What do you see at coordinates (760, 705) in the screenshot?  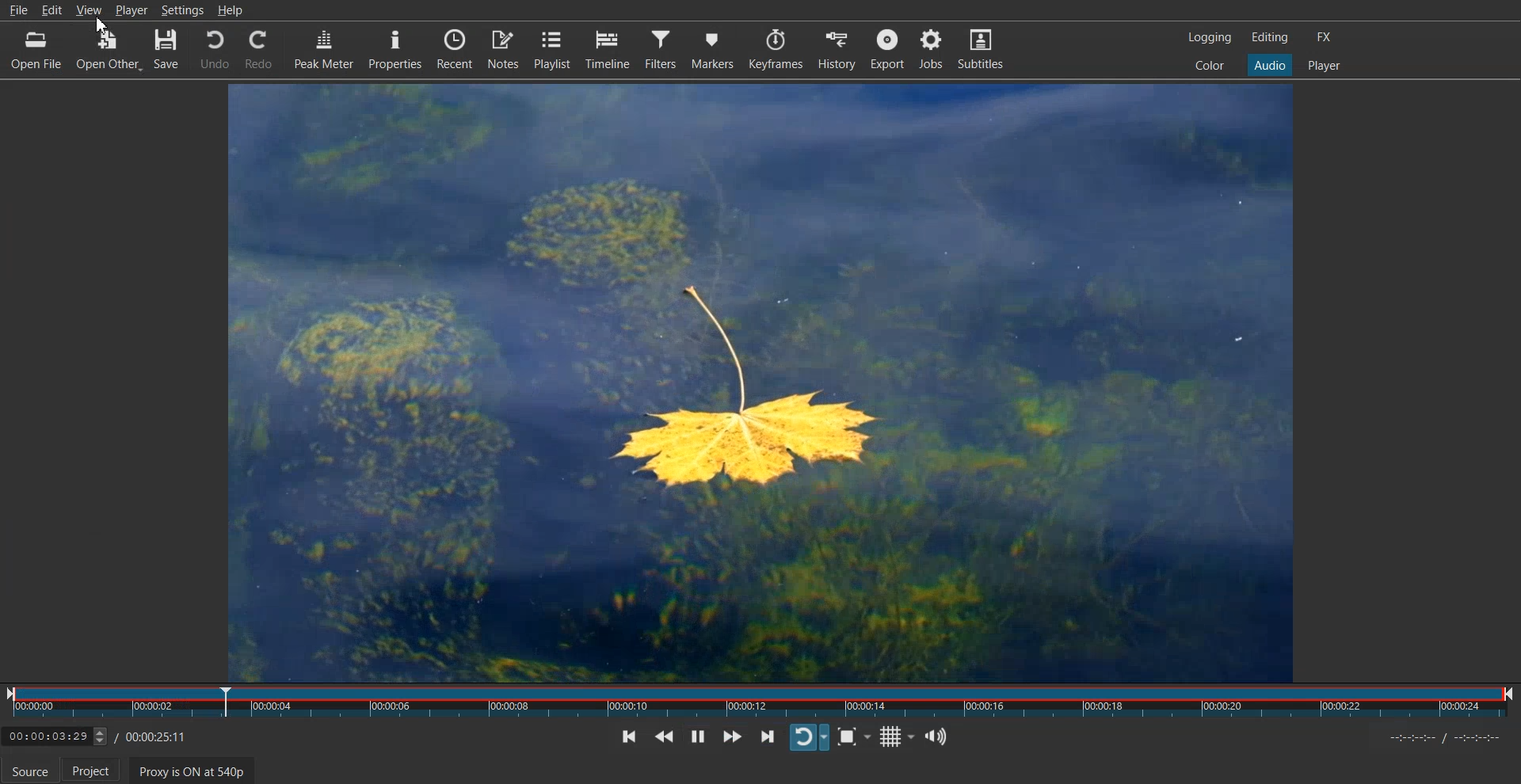 I see `Slider` at bounding box center [760, 705].